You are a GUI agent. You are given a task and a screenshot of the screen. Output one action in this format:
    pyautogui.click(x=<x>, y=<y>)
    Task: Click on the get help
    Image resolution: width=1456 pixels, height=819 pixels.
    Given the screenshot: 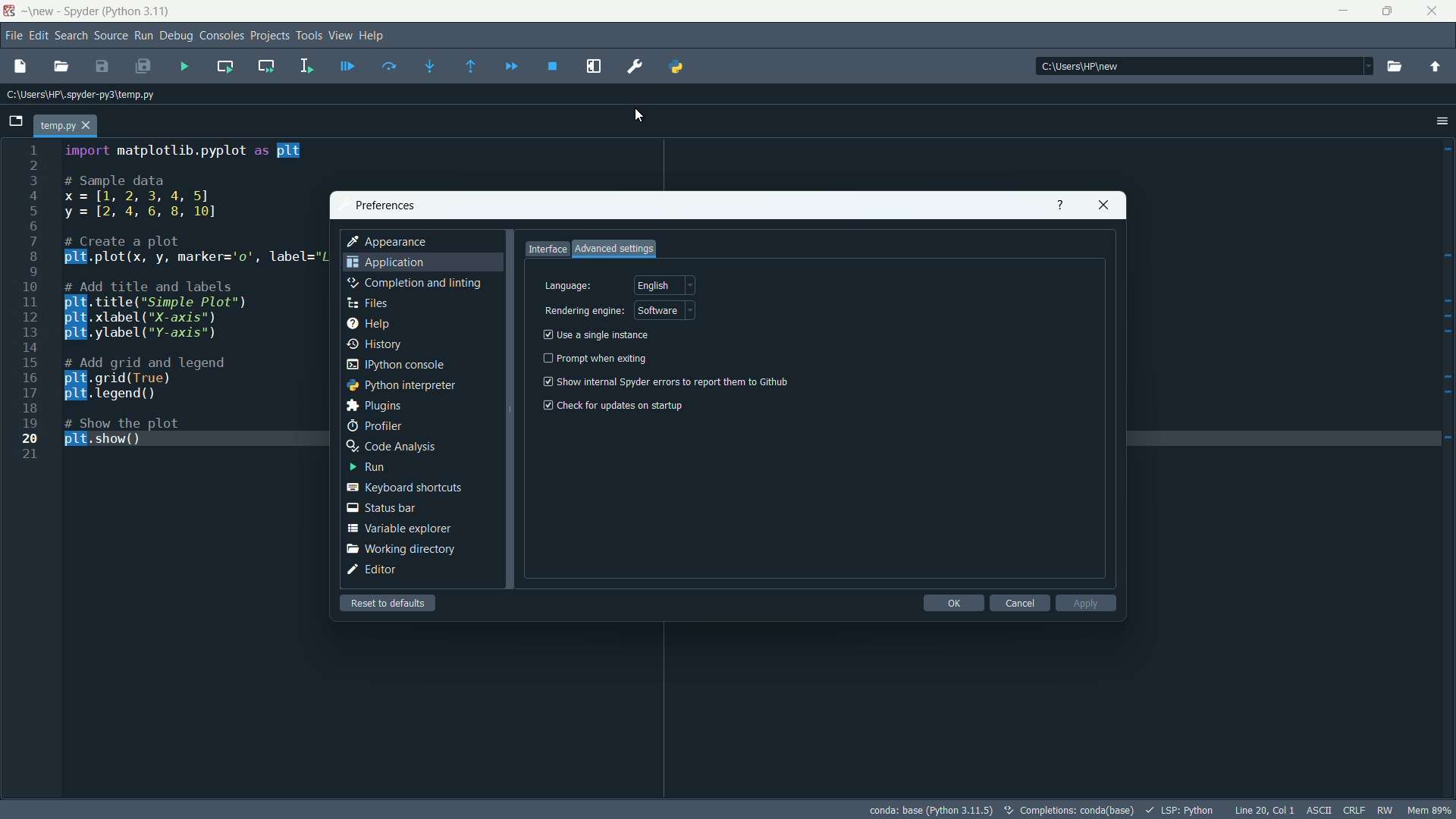 What is the action you would take?
    pyautogui.click(x=1062, y=204)
    